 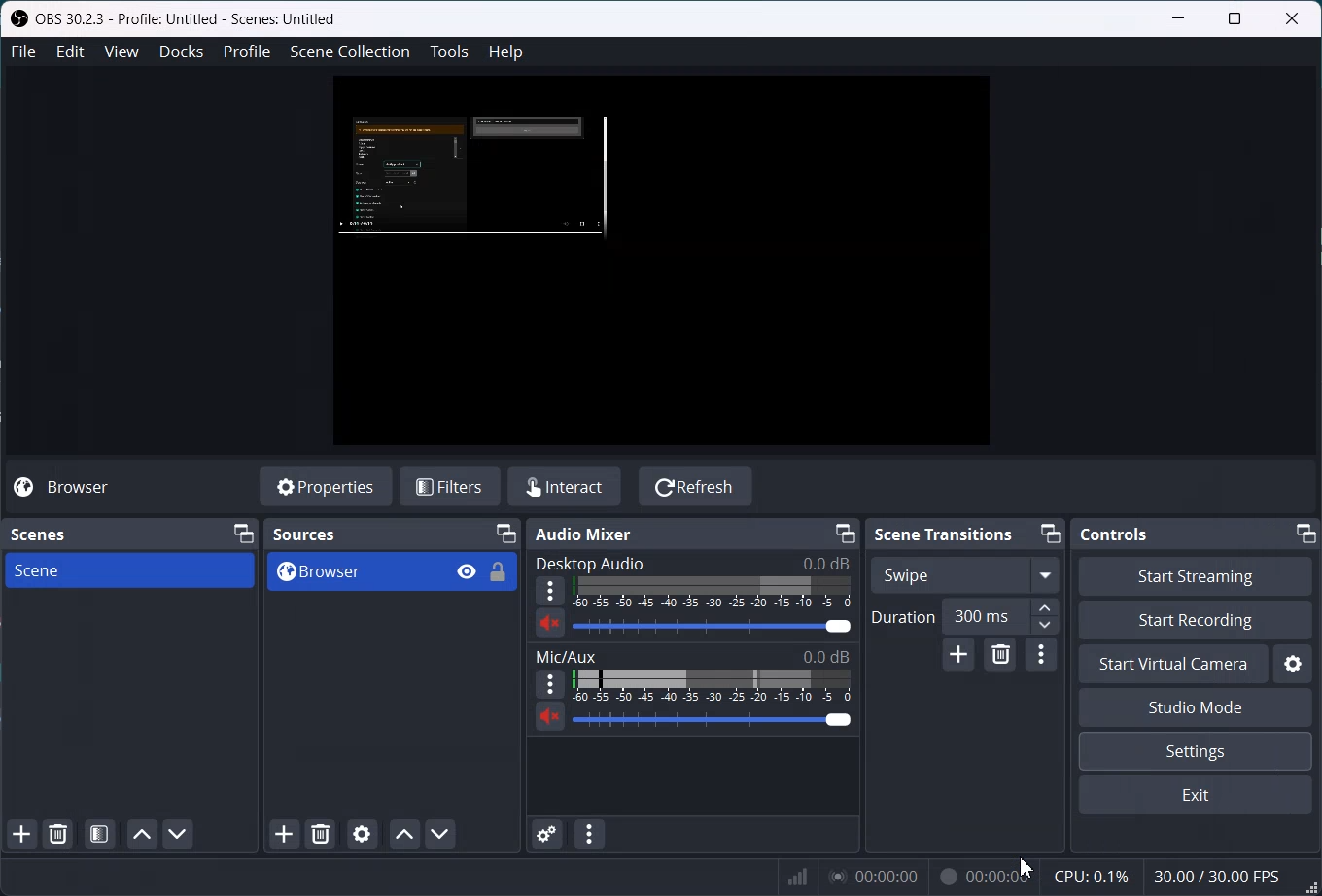 What do you see at coordinates (122, 52) in the screenshot?
I see `View` at bounding box center [122, 52].